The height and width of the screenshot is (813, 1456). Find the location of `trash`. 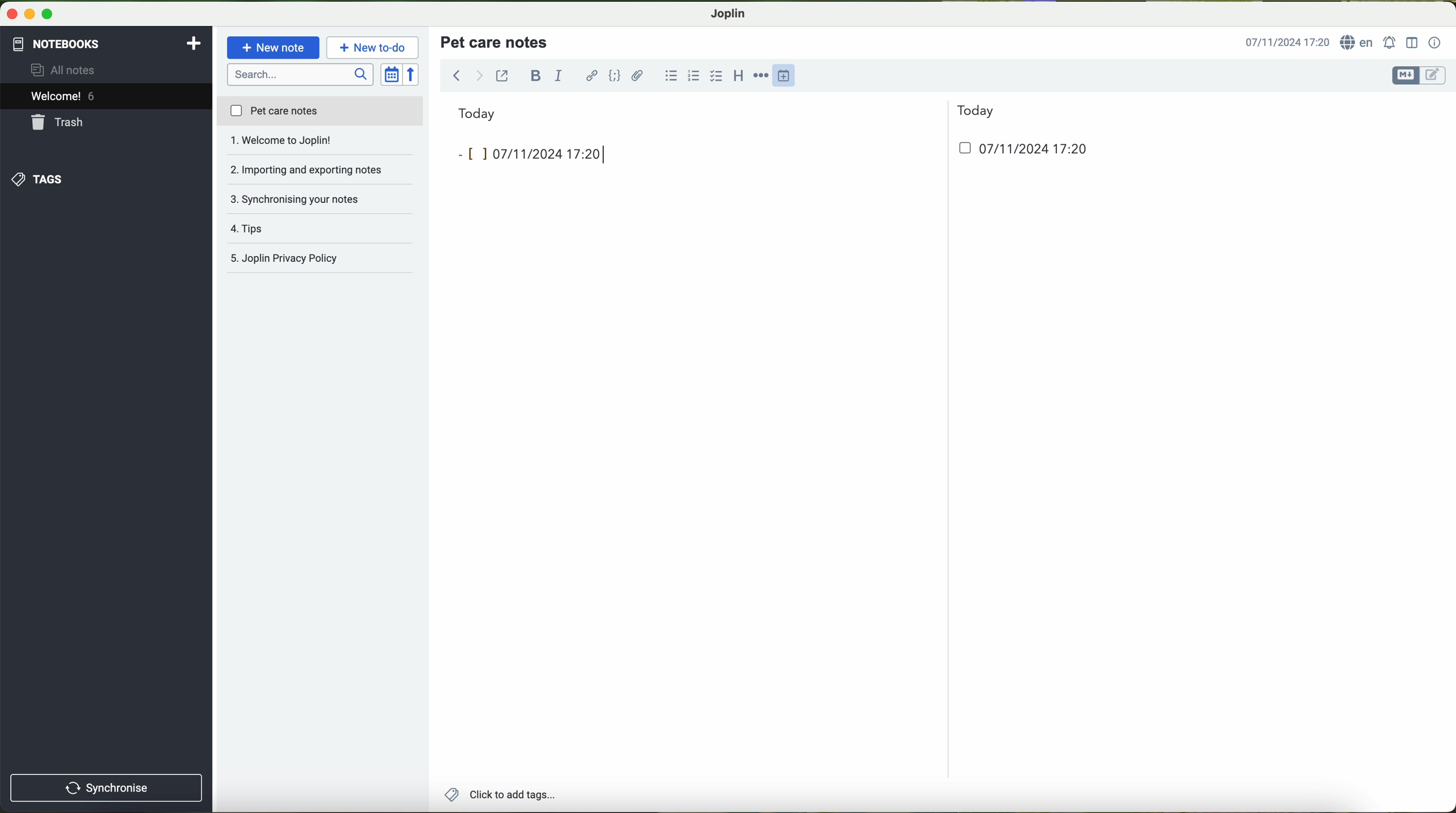

trash is located at coordinates (58, 124).